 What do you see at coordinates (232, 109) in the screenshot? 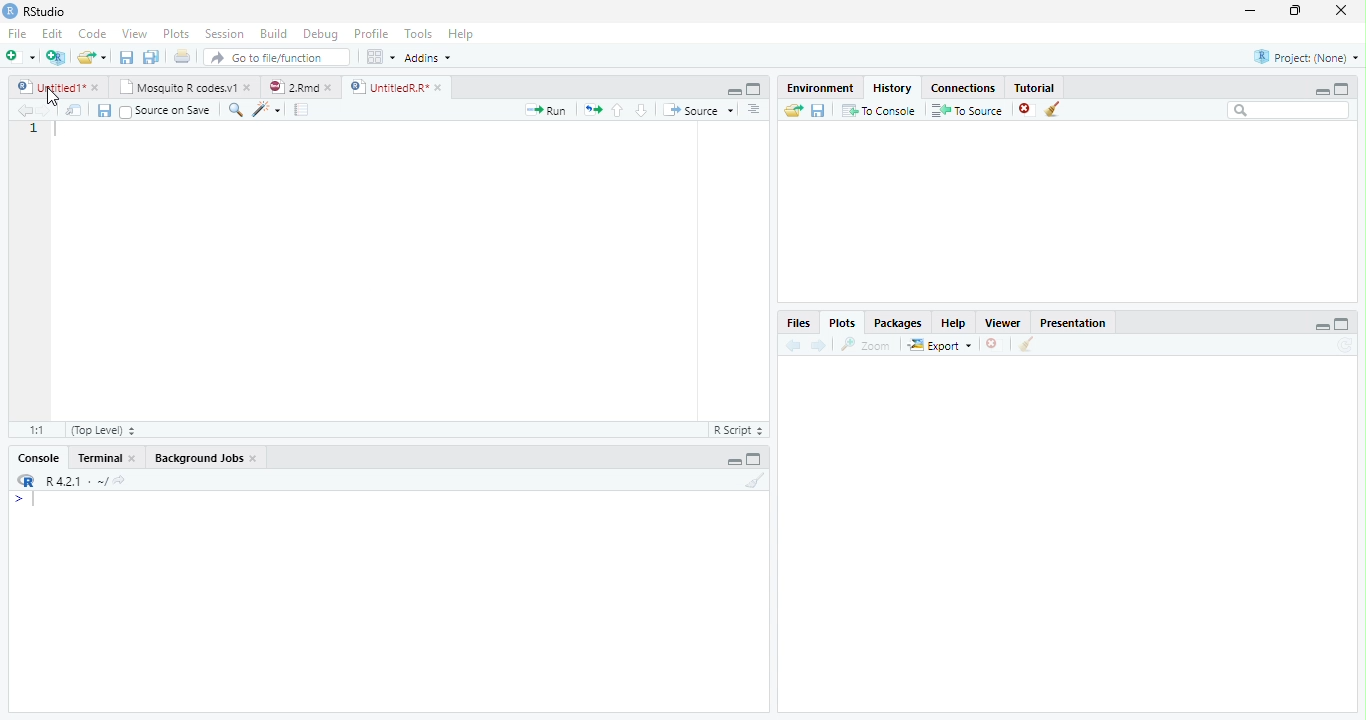
I see `search` at bounding box center [232, 109].